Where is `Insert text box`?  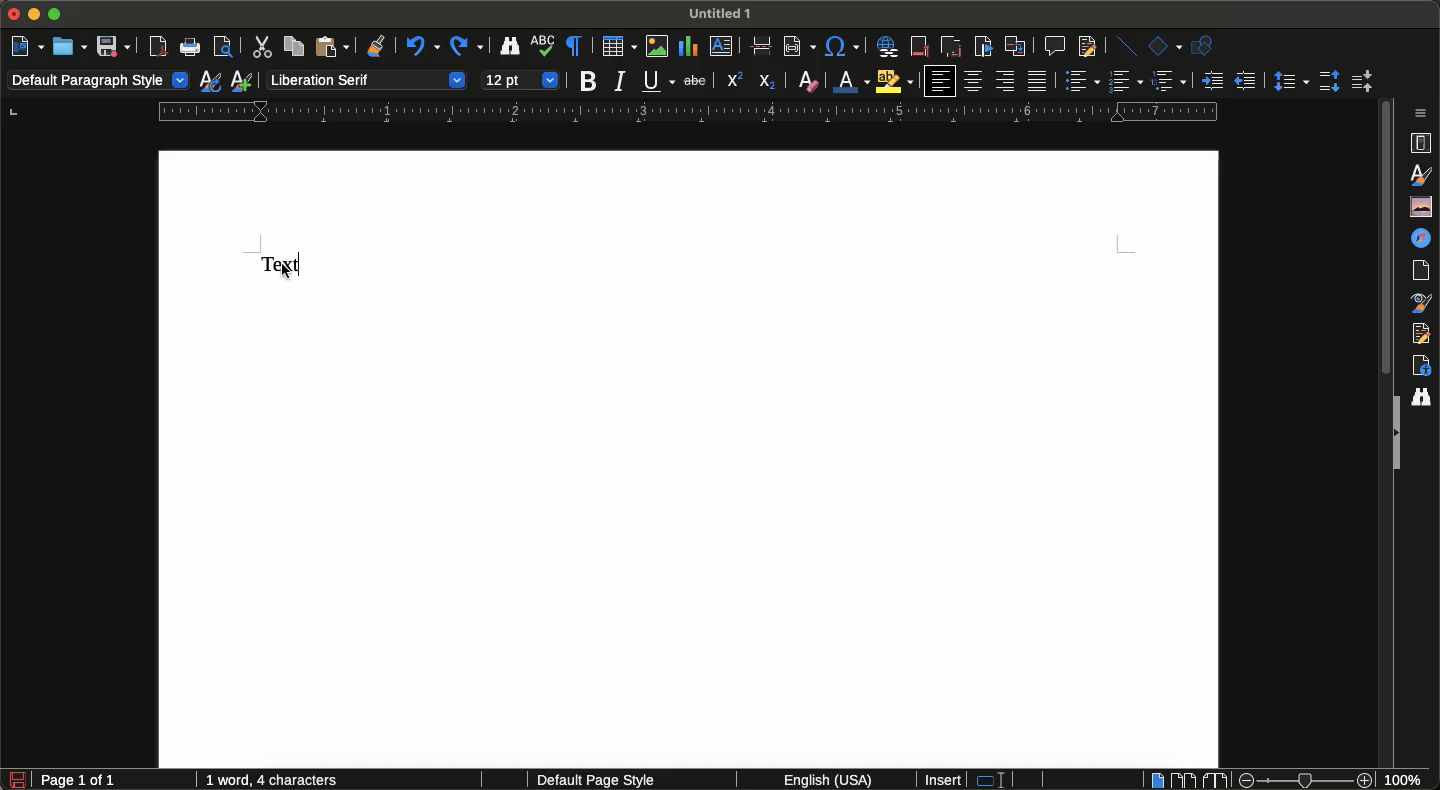 Insert text box is located at coordinates (726, 49).